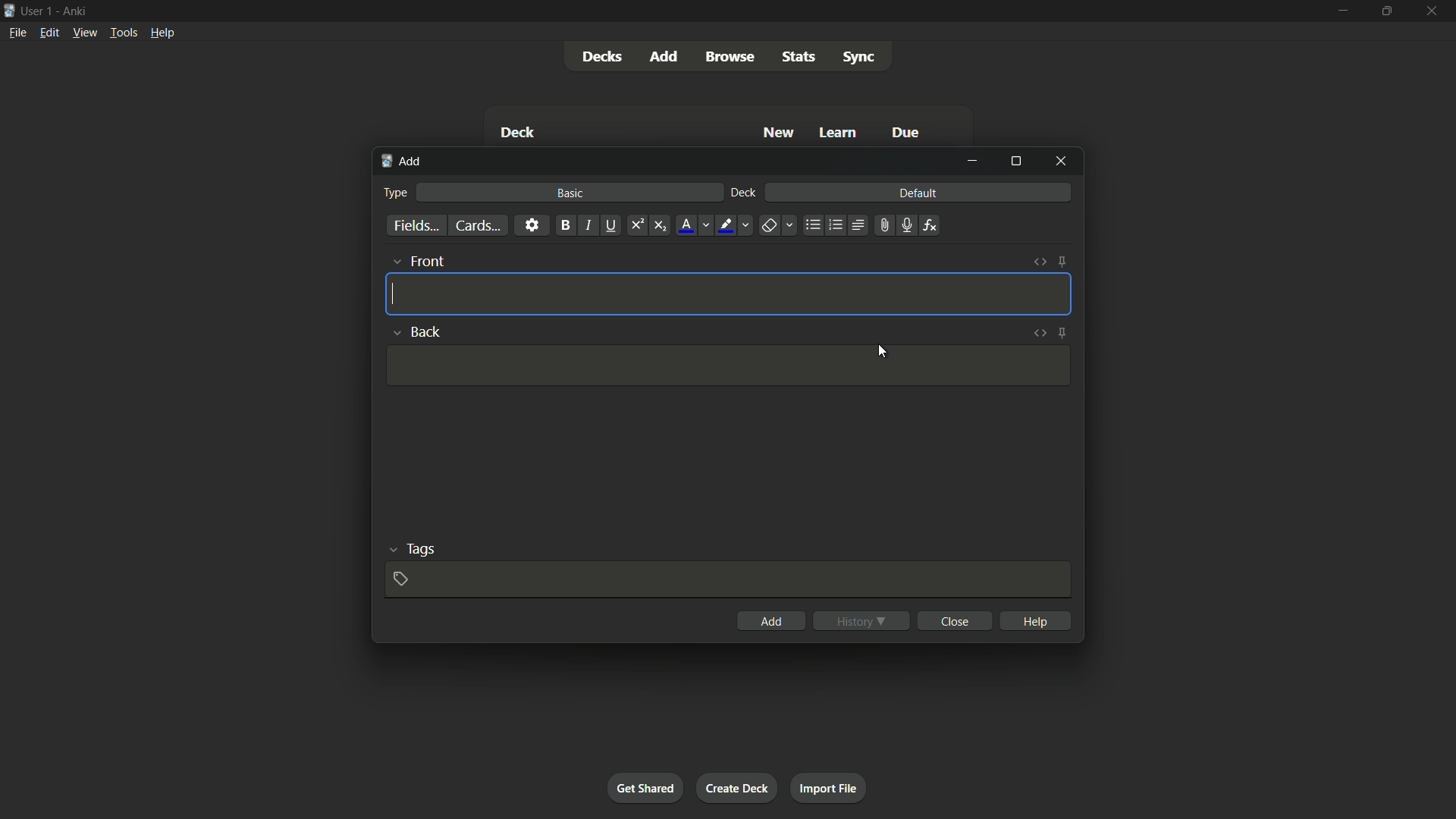  I want to click on view menu, so click(84, 33).